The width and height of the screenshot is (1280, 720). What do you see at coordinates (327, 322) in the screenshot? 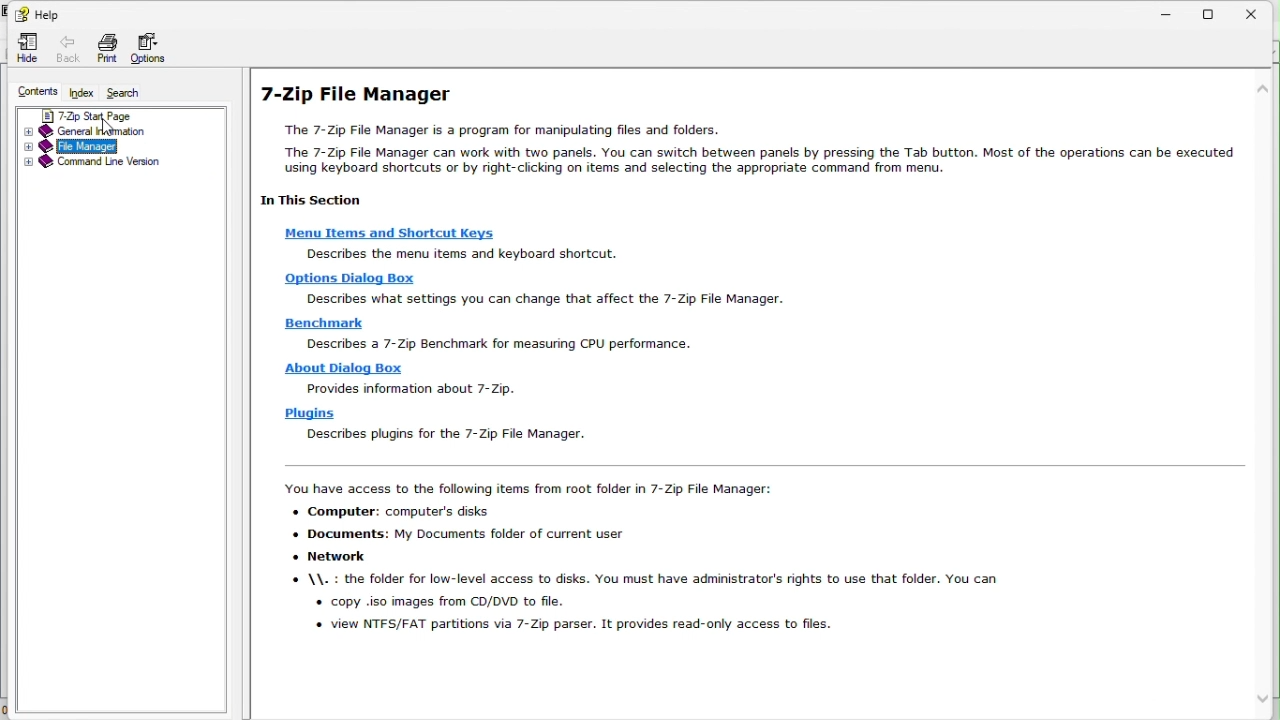
I see `benchmark` at bounding box center [327, 322].